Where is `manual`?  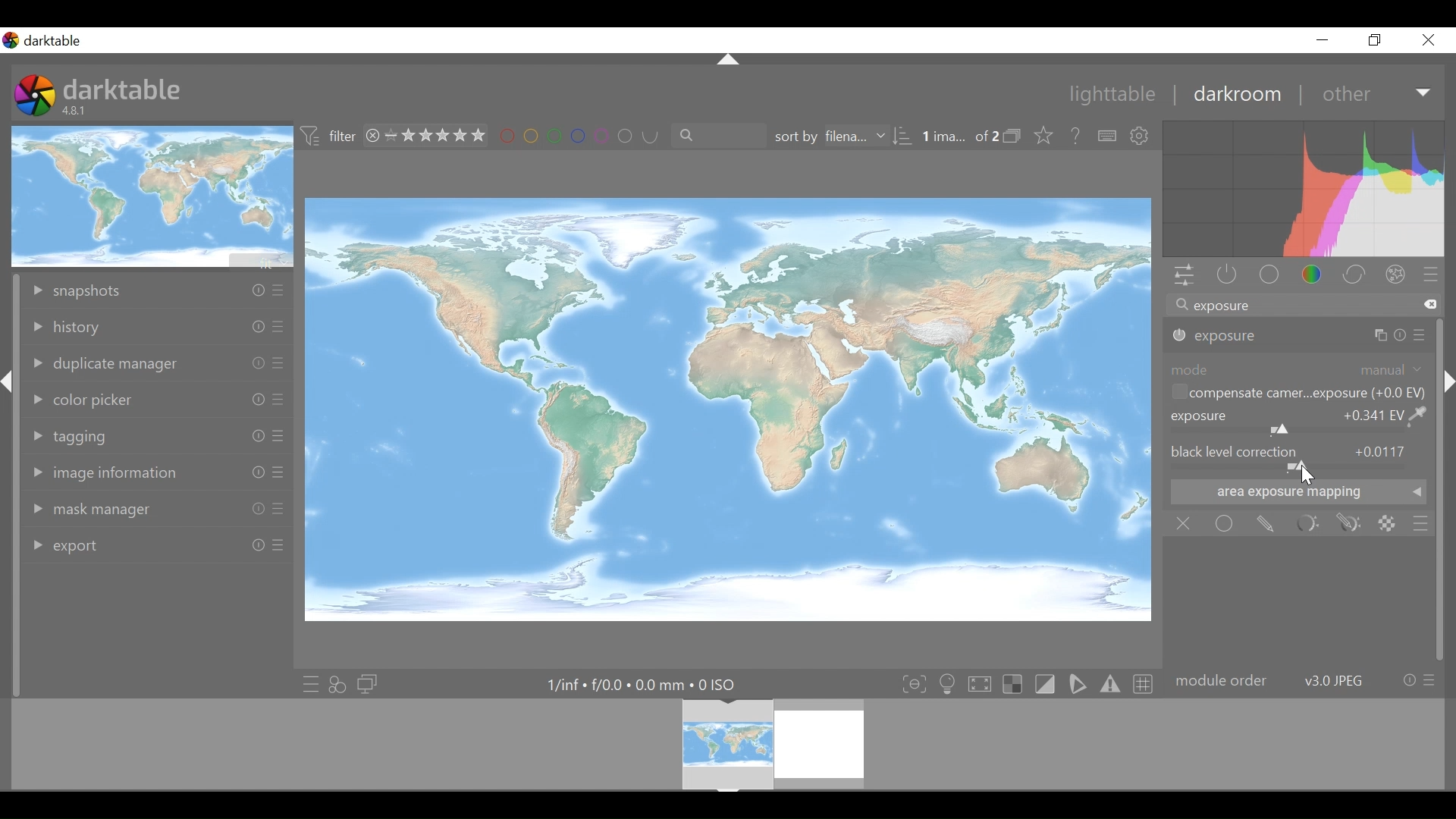 manual is located at coordinates (1389, 369).